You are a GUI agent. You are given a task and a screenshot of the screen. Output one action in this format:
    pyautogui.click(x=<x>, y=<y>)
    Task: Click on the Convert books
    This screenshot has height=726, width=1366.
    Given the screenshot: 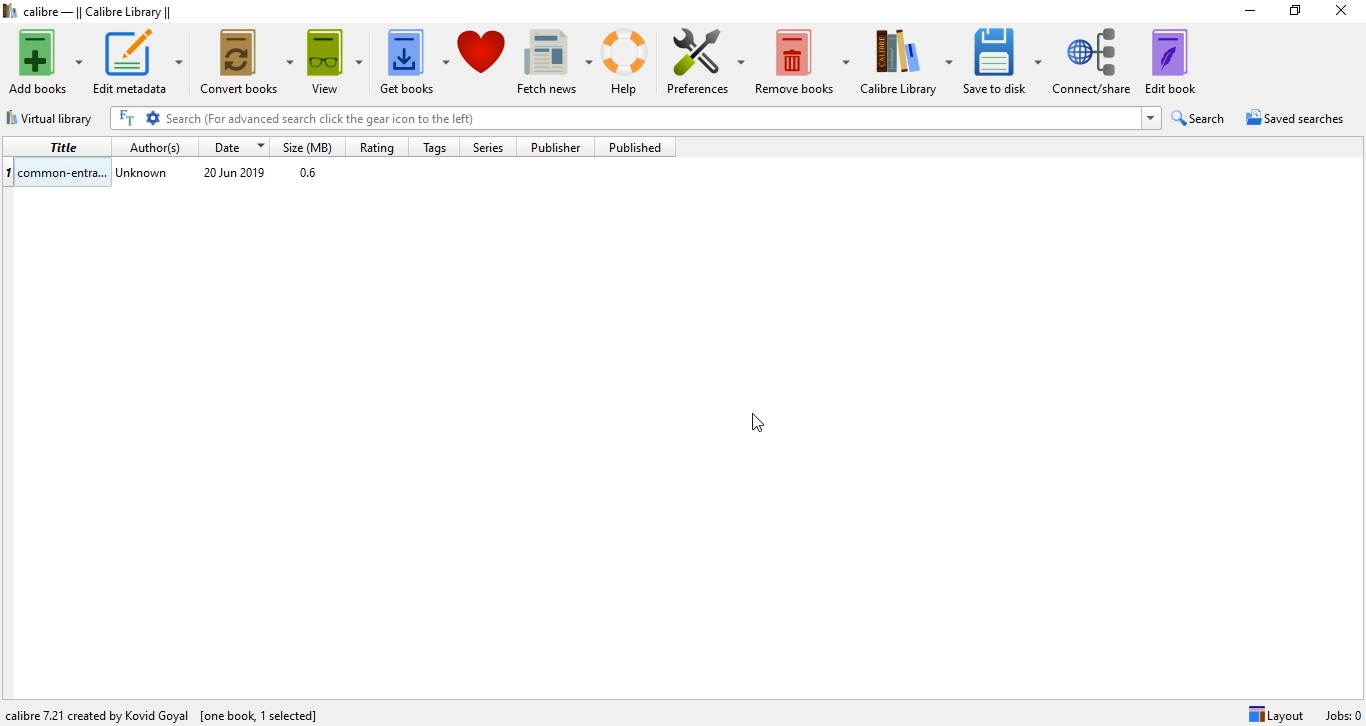 What is the action you would take?
    pyautogui.click(x=248, y=59)
    